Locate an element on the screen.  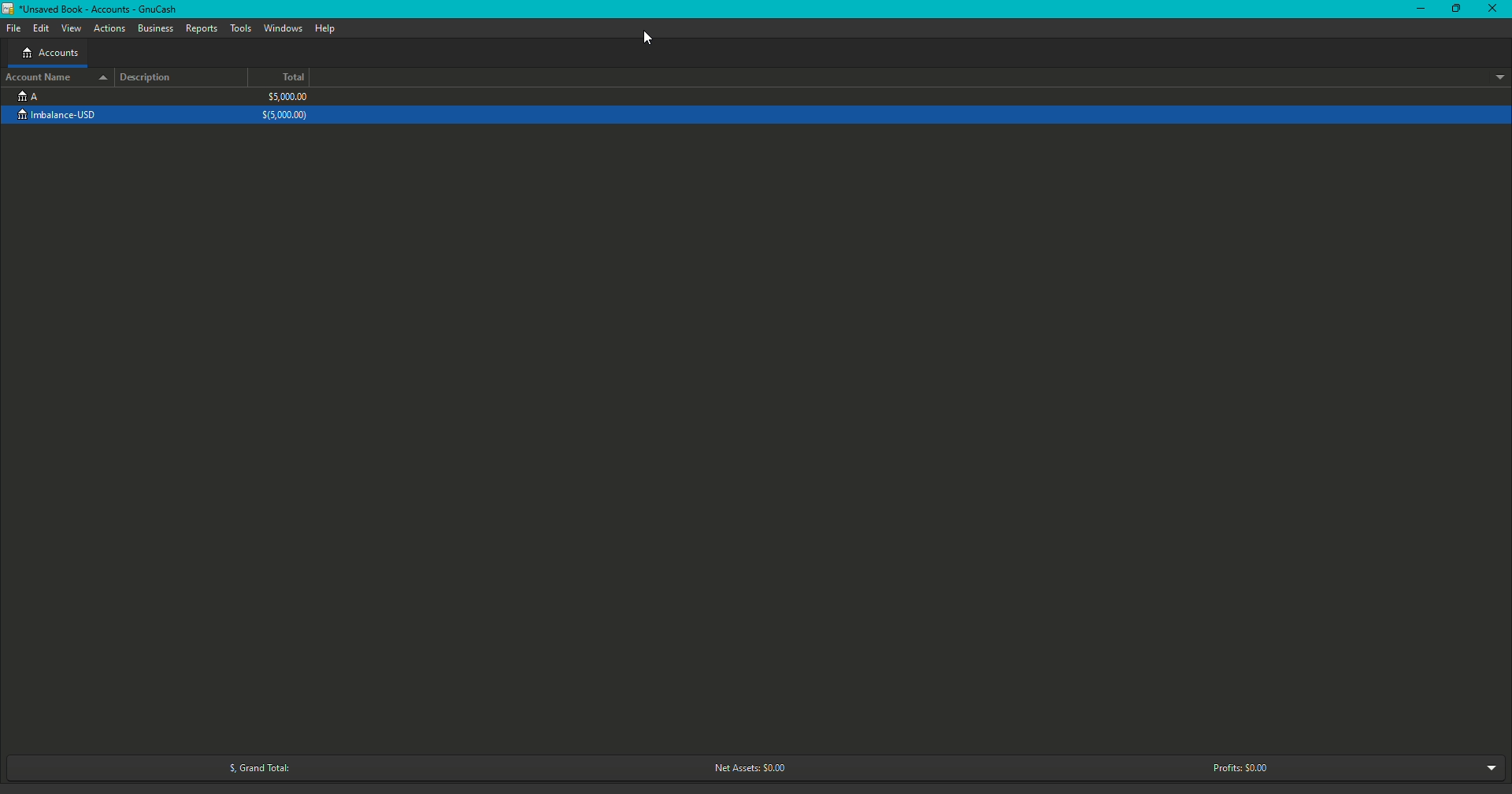
Actions is located at coordinates (110, 29).